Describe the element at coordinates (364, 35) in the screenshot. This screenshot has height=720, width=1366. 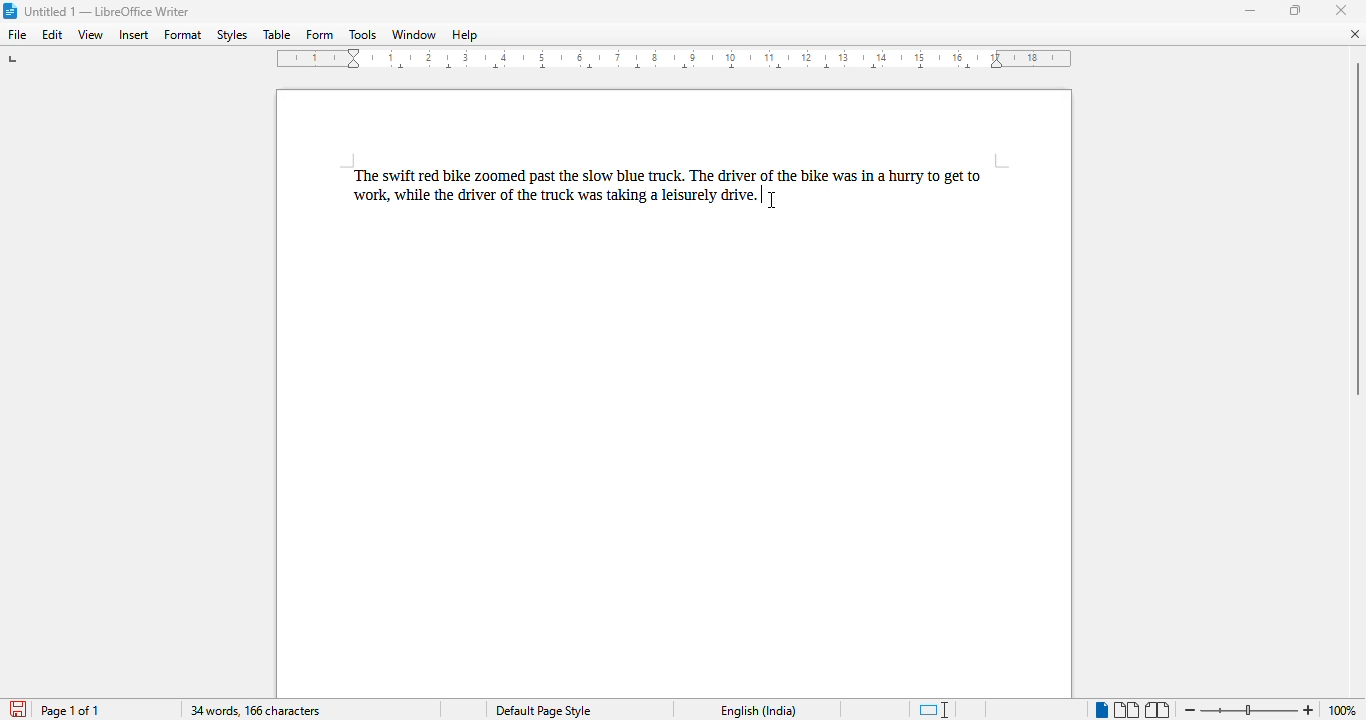
I see `tools` at that location.